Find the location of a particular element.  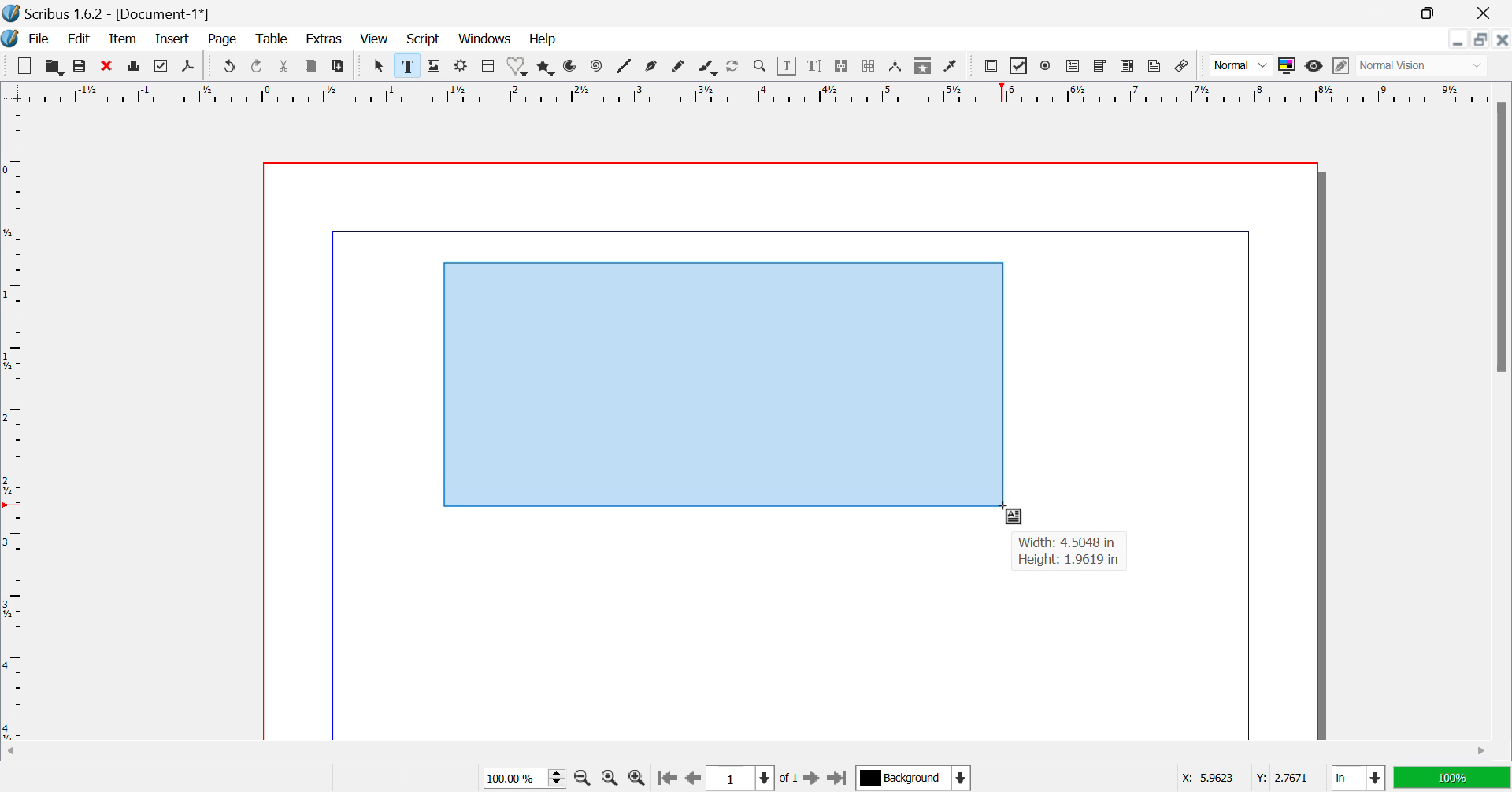

PDF checkbox is located at coordinates (1020, 65).